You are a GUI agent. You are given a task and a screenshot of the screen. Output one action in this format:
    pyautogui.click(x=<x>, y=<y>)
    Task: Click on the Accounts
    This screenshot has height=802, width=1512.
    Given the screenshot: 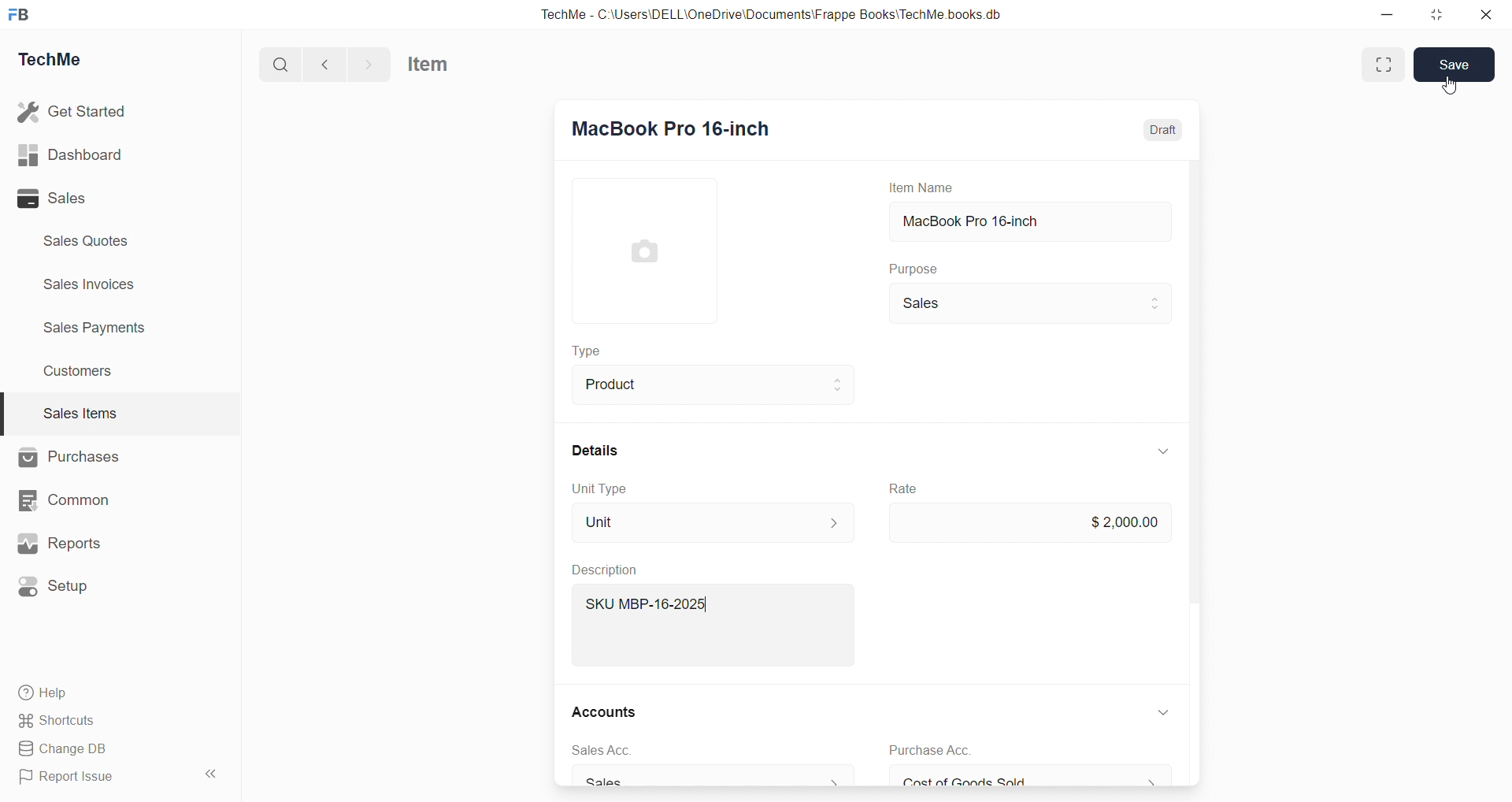 What is the action you would take?
    pyautogui.click(x=603, y=711)
    